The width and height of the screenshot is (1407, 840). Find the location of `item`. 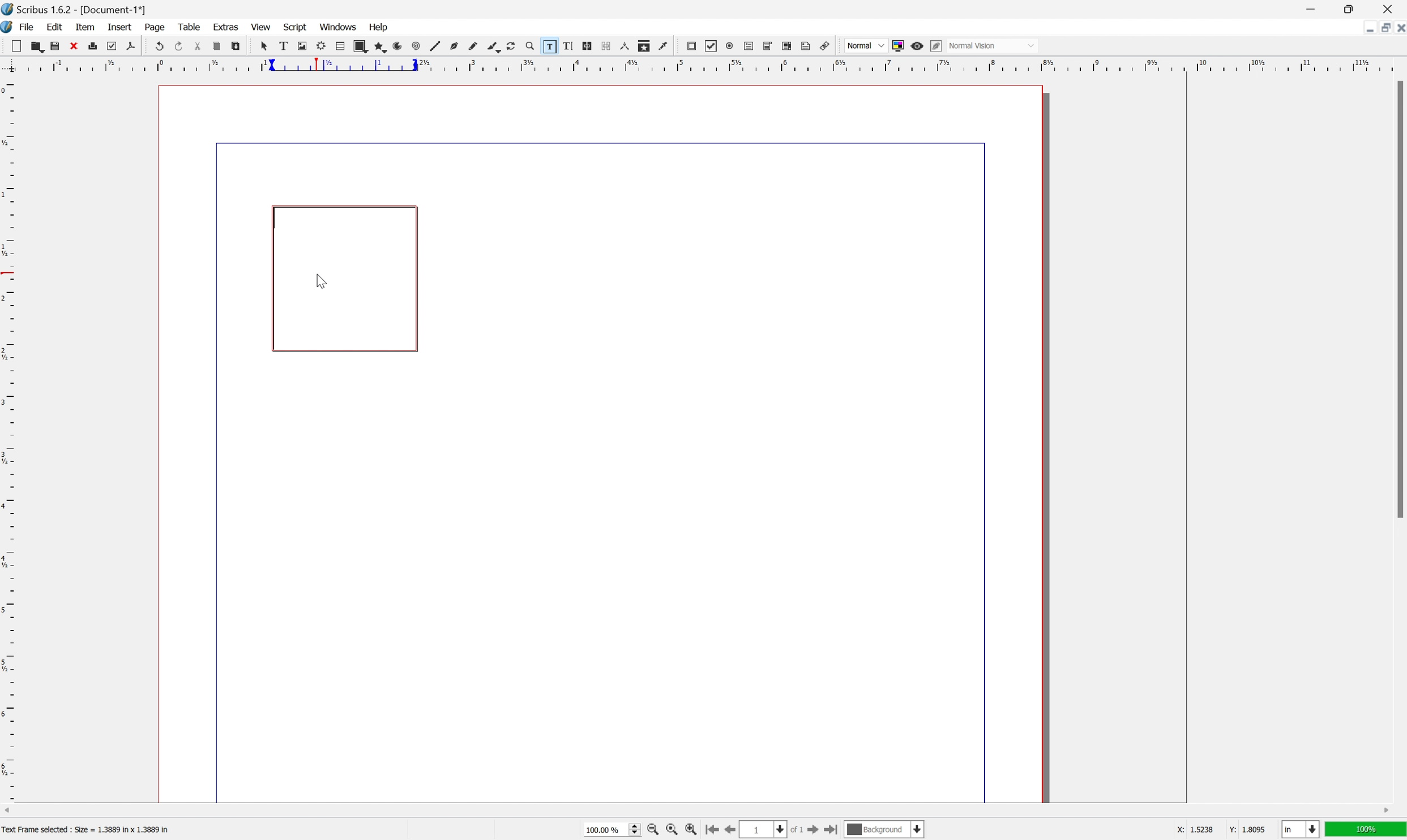

item is located at coordinates (87, 27).